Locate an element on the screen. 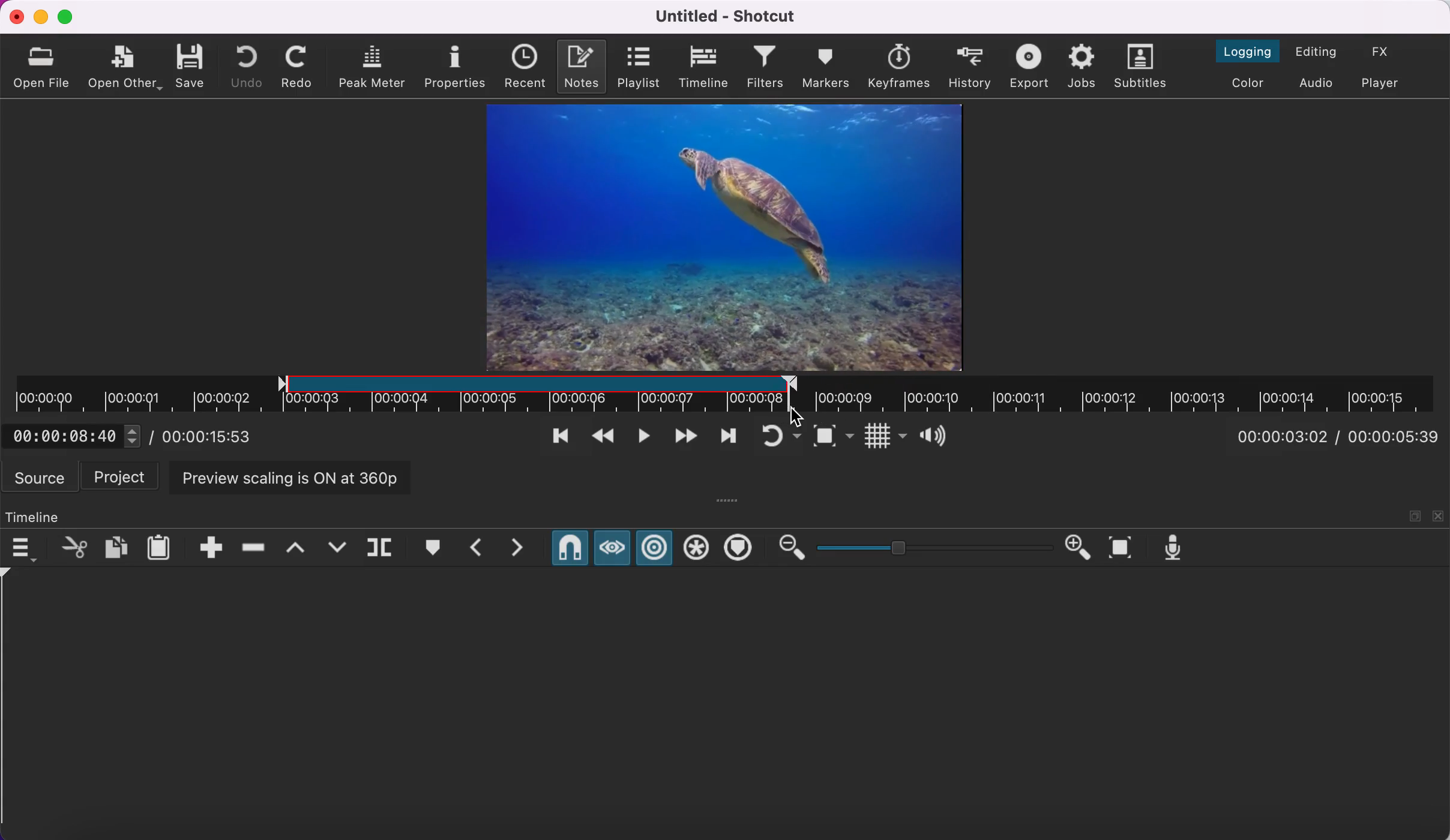 This screenshot has width=1450, height=840. history is located at coordinates (970, 64).